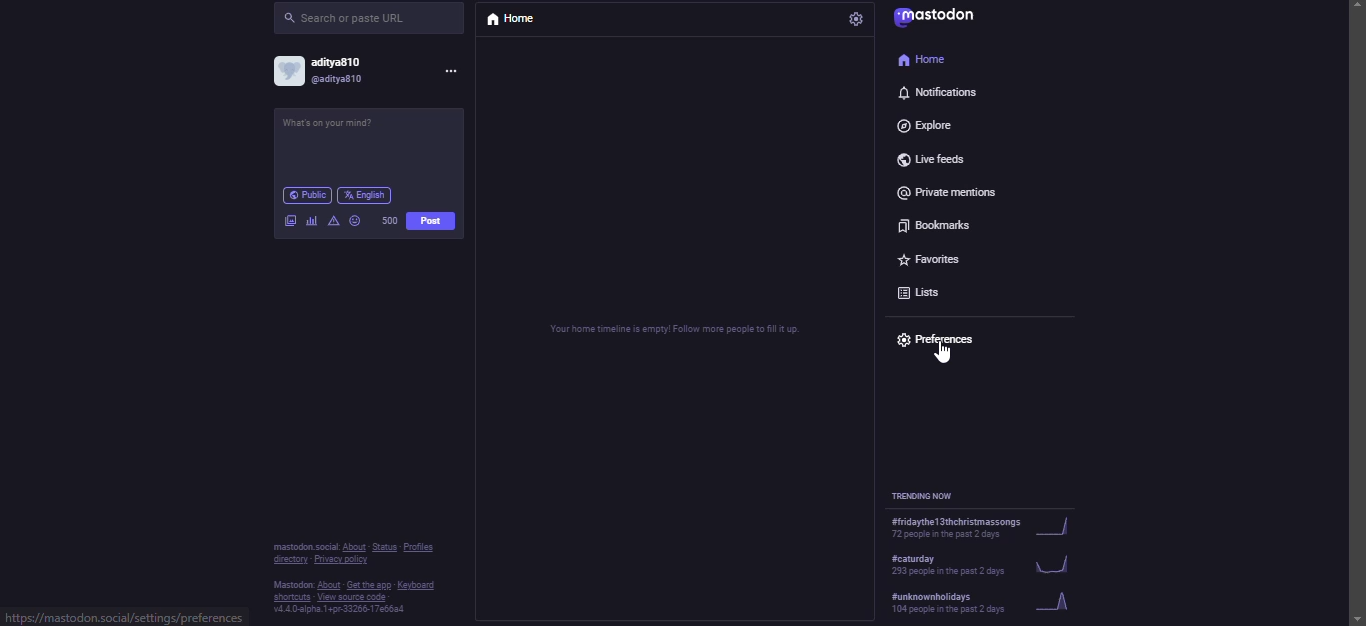 The width and height of the screenshot is (1366, 626). Describe the element at coordinates (987, 529) in the screenshot. I see `trending` at that location.